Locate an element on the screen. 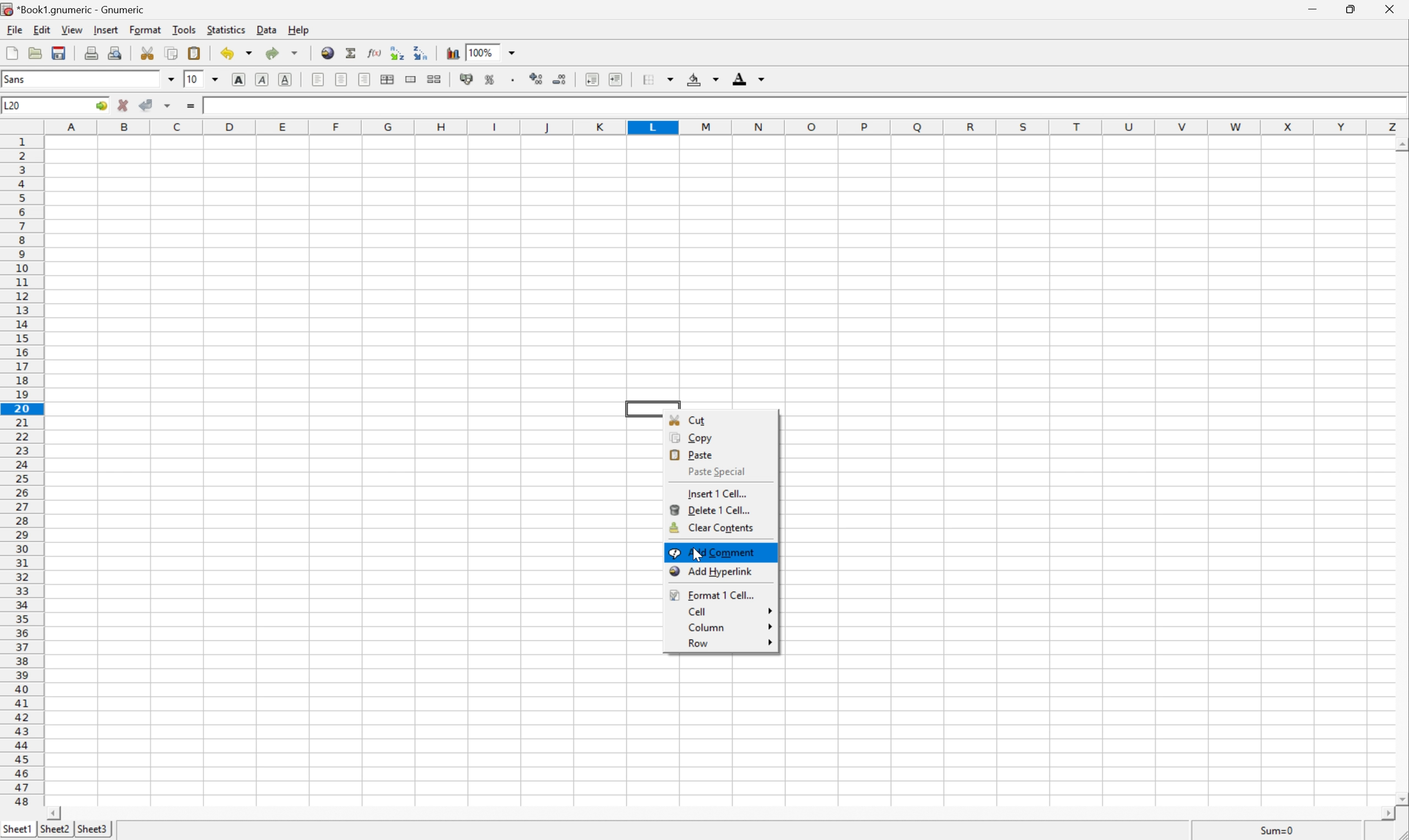 The image size is (1409, 840). Underline is located at coordinates (285, 79).